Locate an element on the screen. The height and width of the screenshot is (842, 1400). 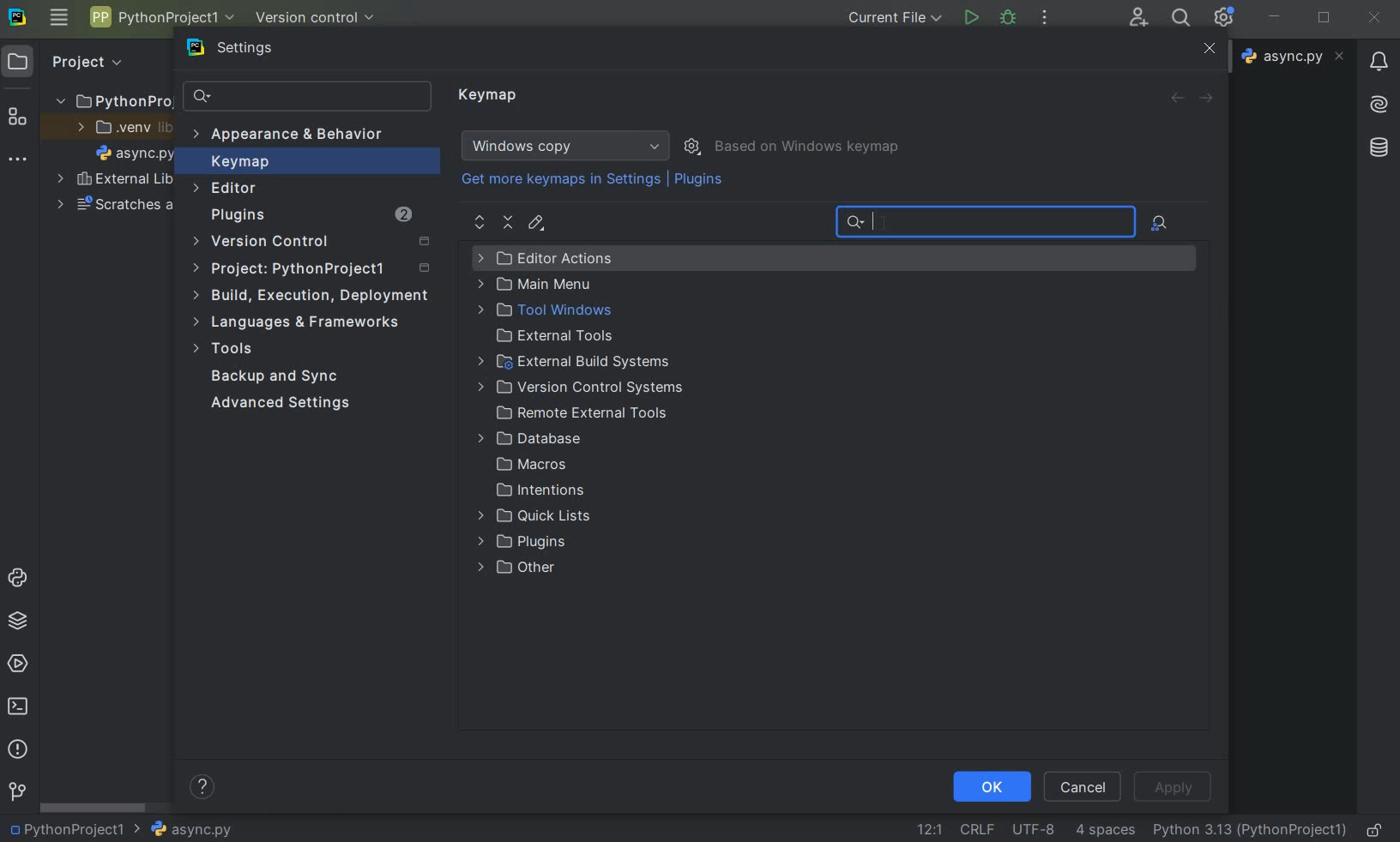
main menu is located at coordinates (58, 17).